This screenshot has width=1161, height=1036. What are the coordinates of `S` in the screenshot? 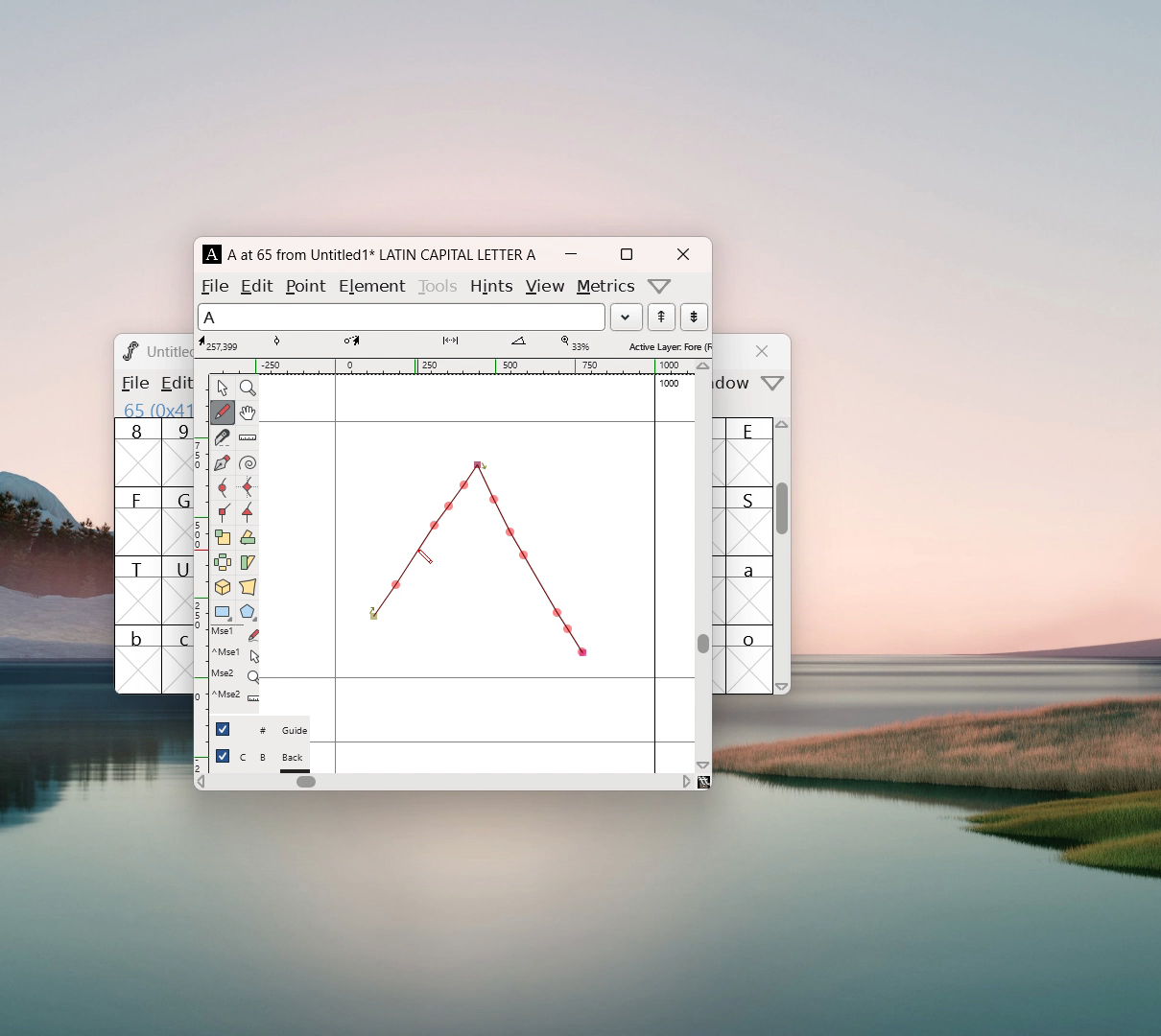 It's located at (749, 521).